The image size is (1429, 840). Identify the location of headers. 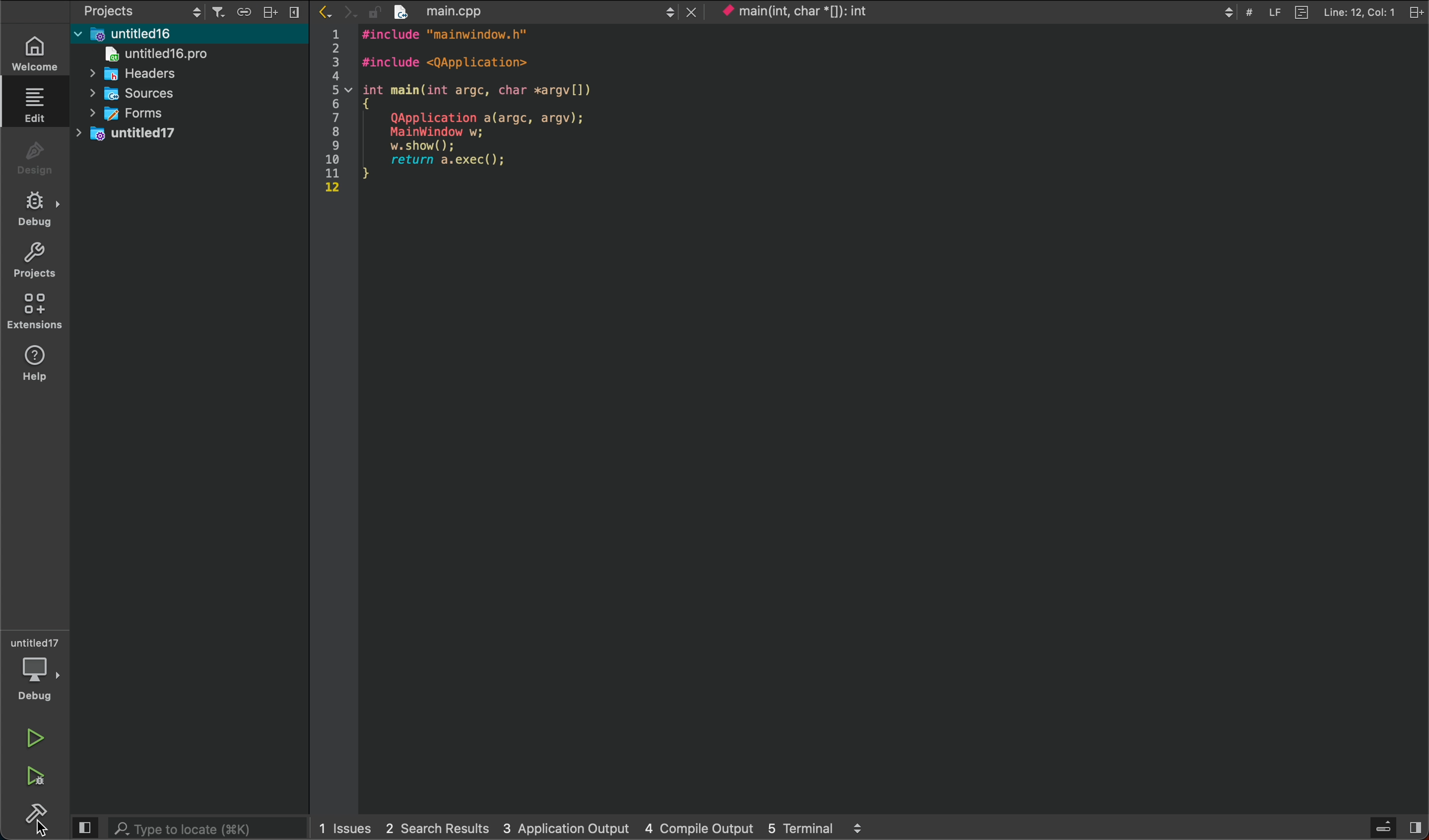
(143, 74).